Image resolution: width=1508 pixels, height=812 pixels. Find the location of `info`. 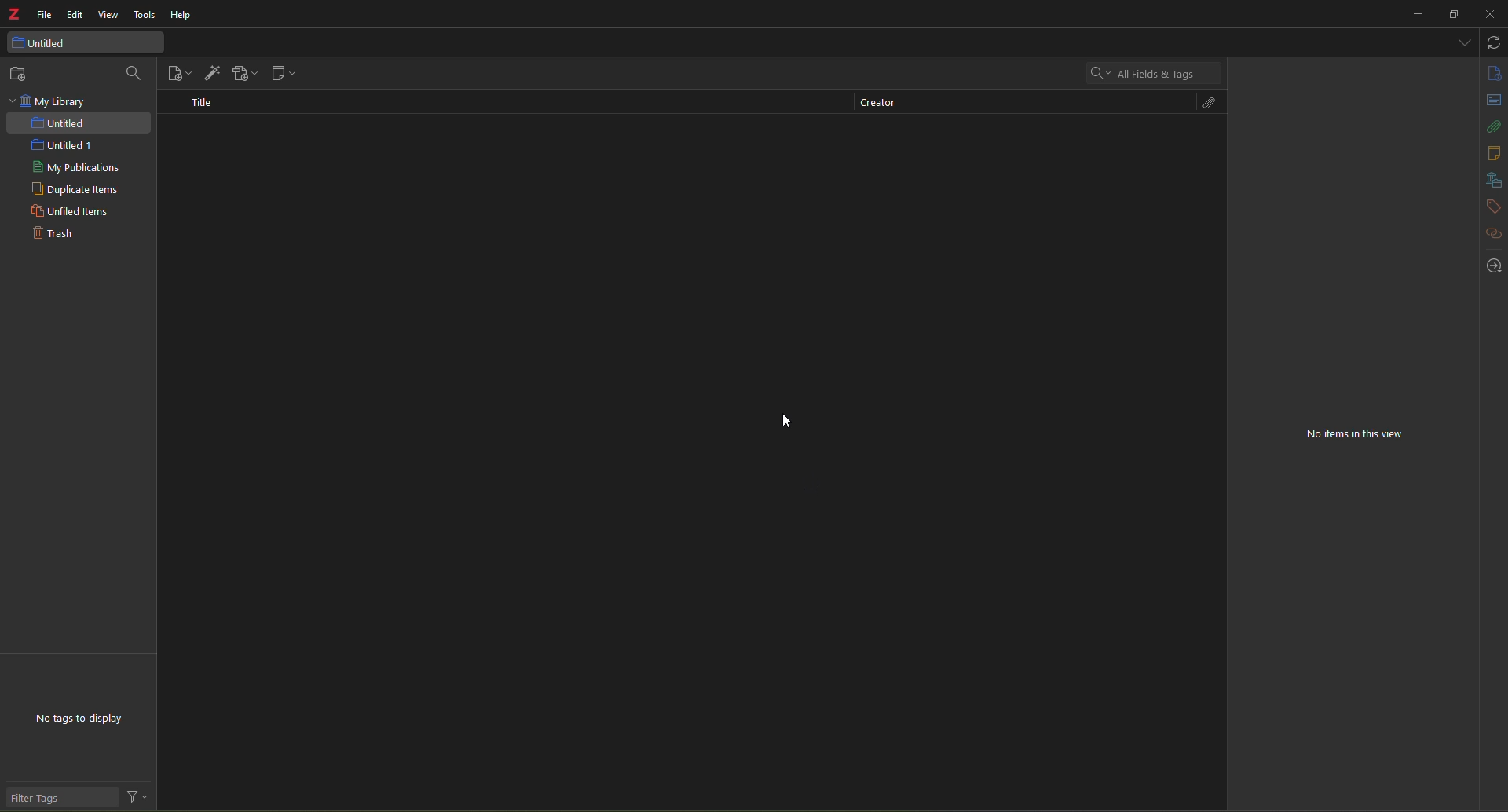

info is located at coordinates (1493, 72).